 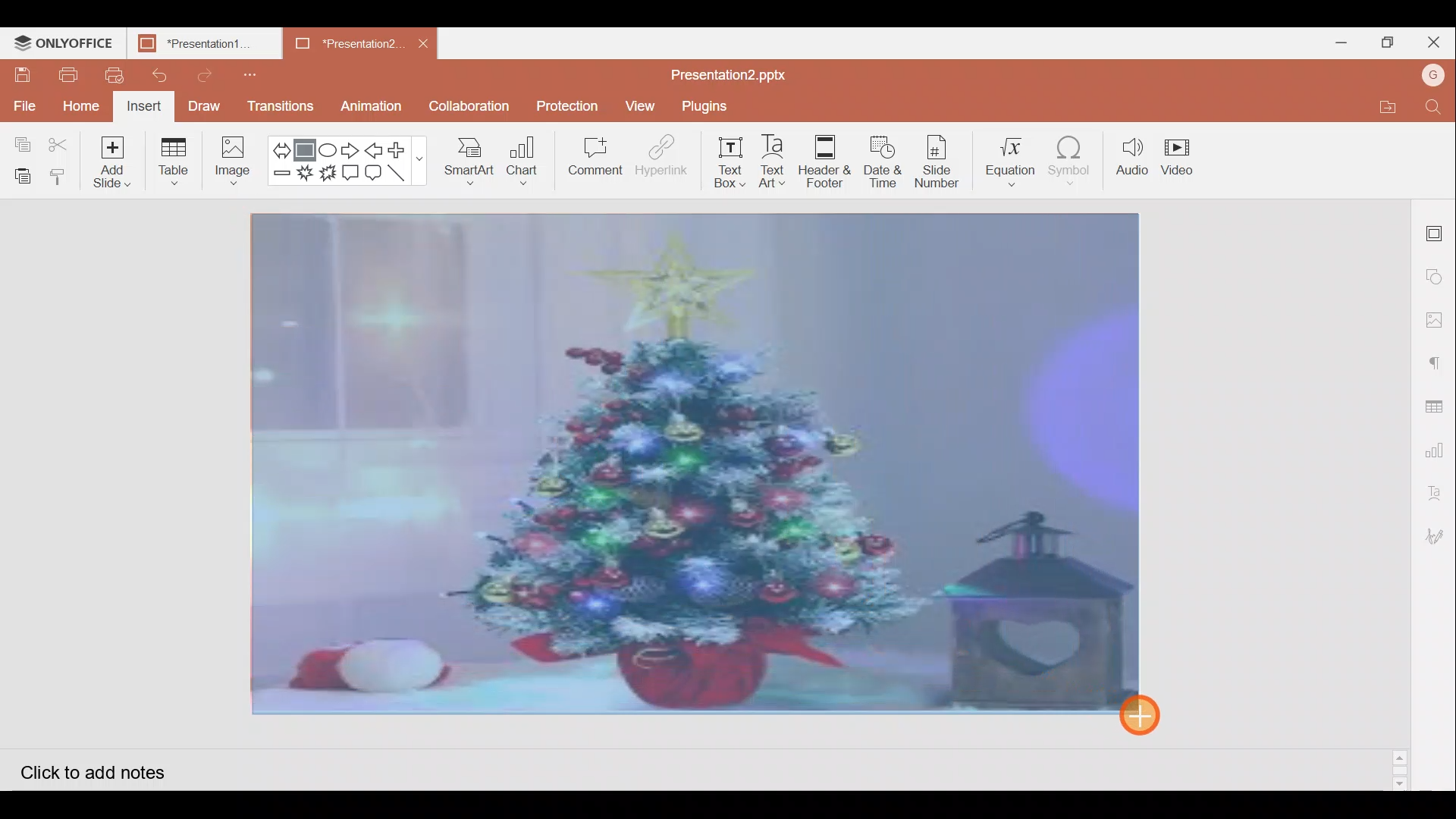 What do you see at coordinates (61, 140) in the screenshot?
I see `Cut` at bounding box center [61, 140].